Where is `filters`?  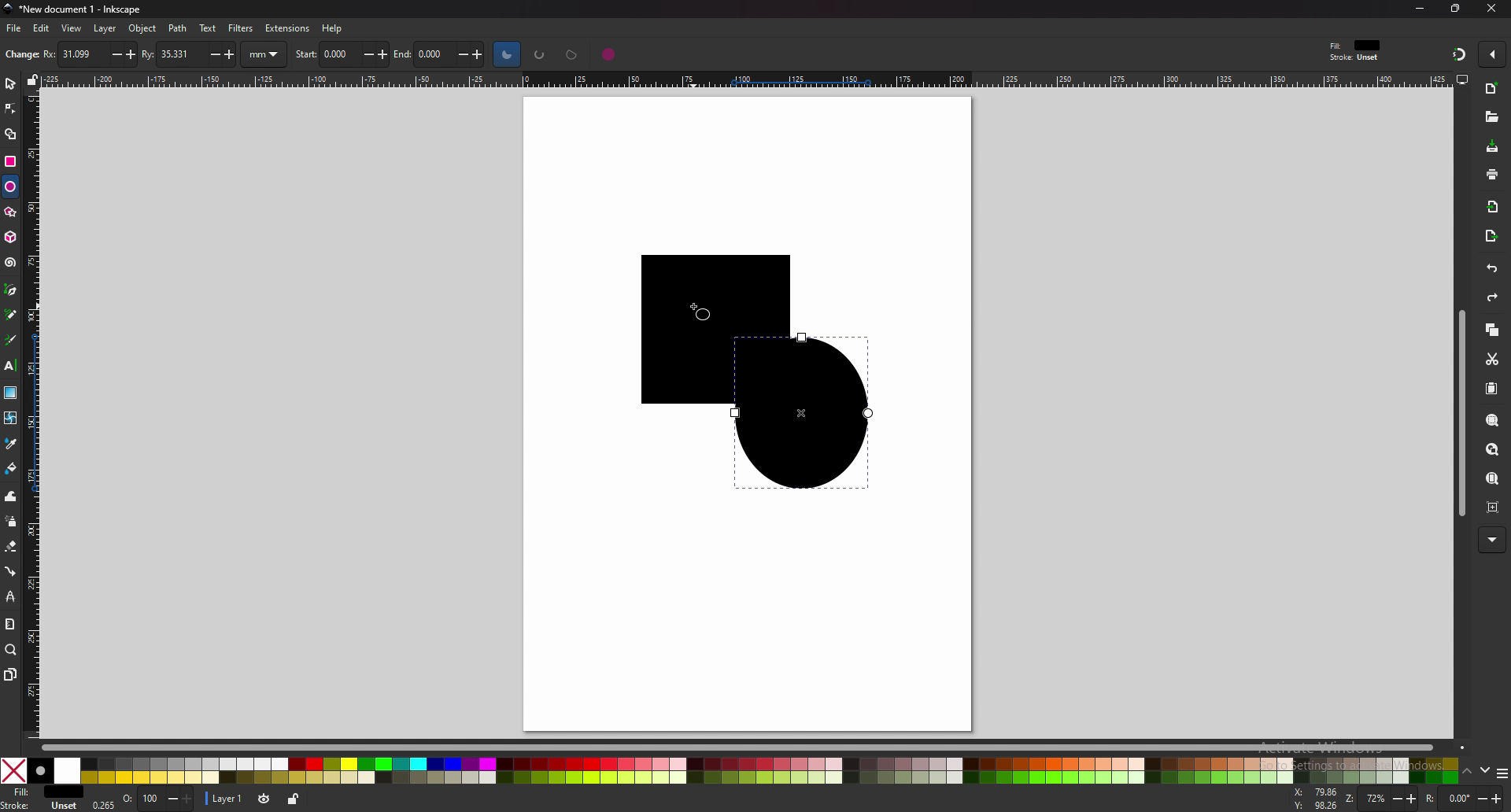
filters is located at coordinates (241, 28).